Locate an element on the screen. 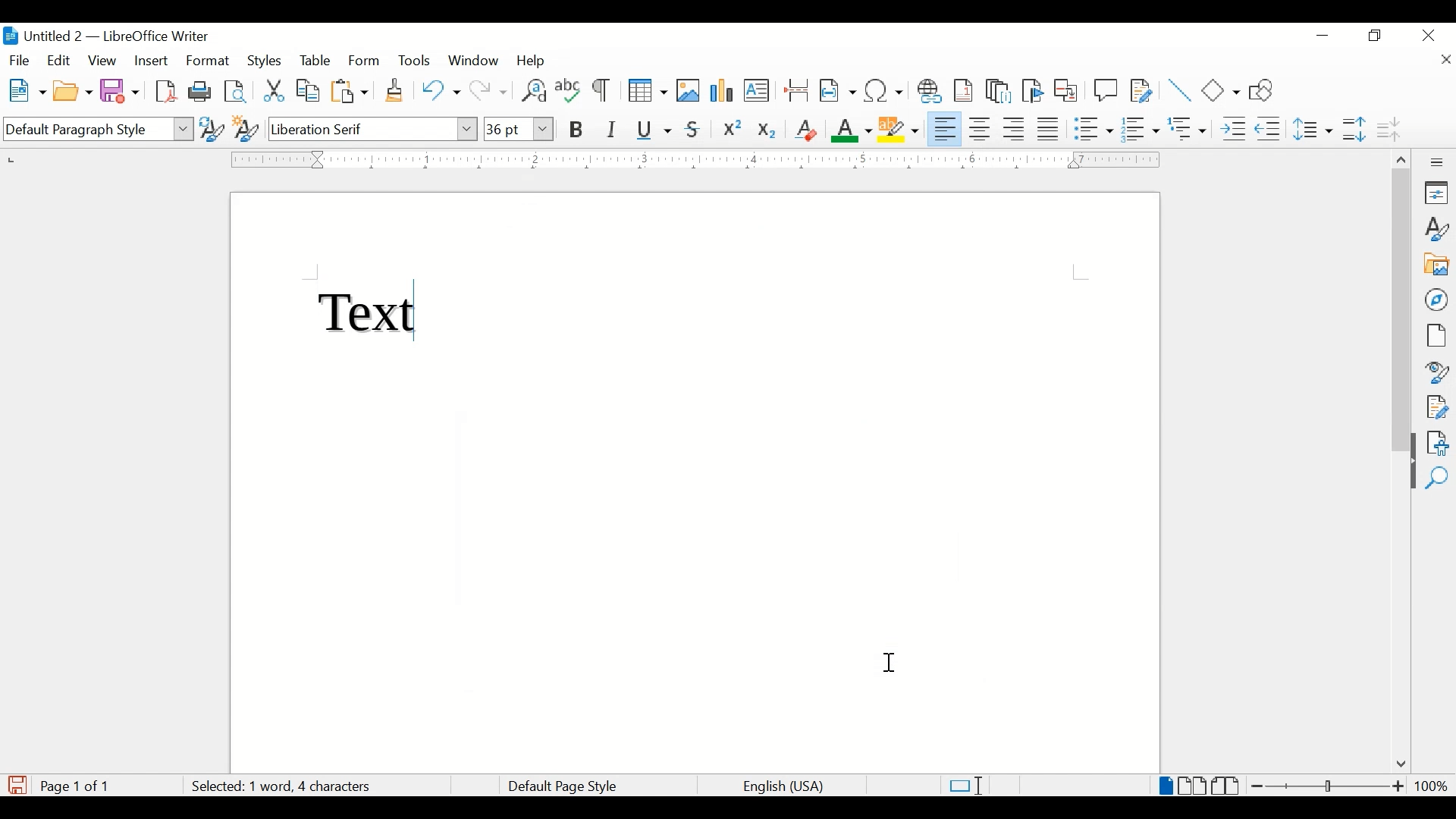  show draw functions is located at coordinates (1266, 89).